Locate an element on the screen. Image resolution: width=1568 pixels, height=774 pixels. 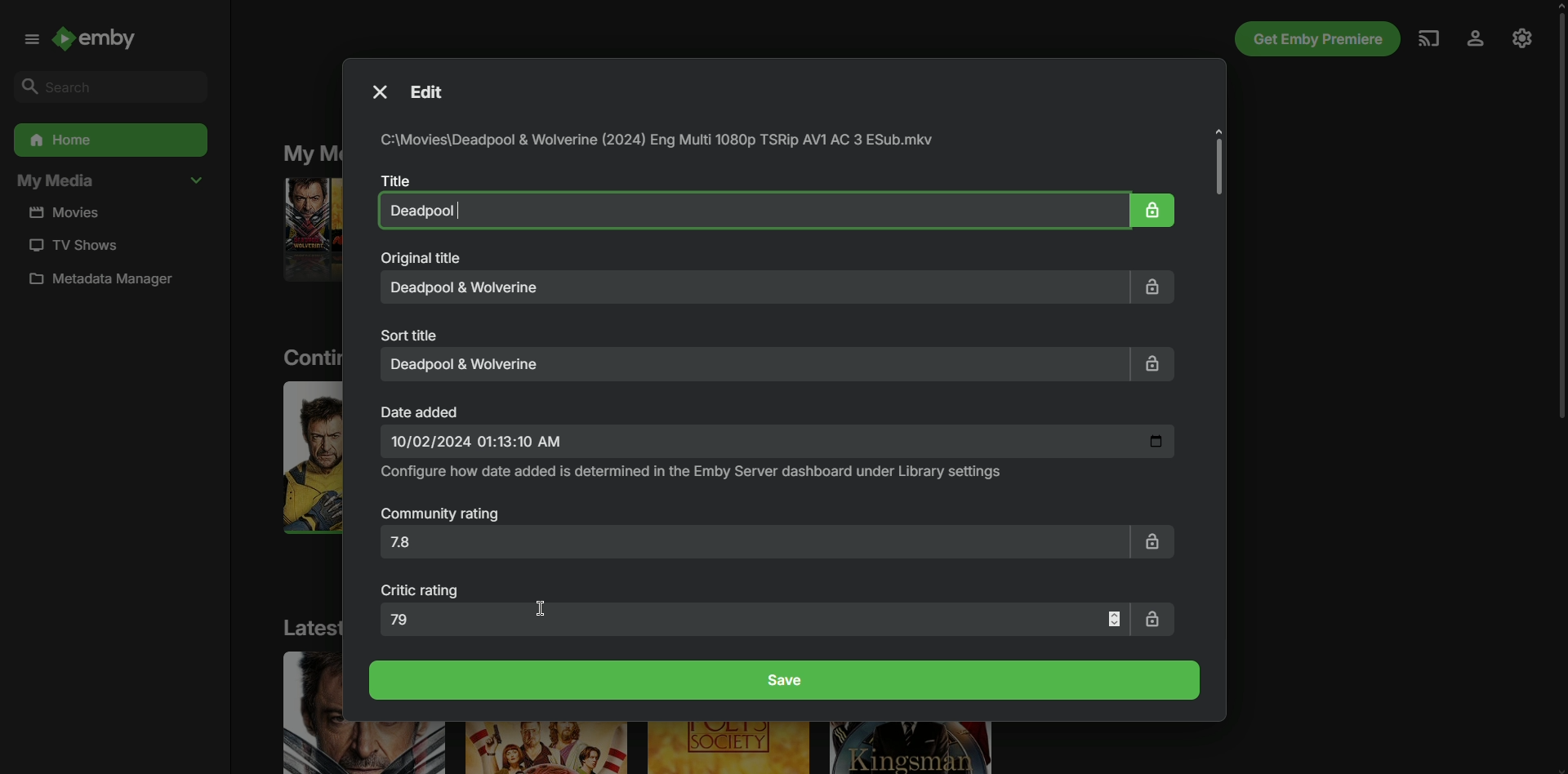
Edit is located at coordinates (436, 93).